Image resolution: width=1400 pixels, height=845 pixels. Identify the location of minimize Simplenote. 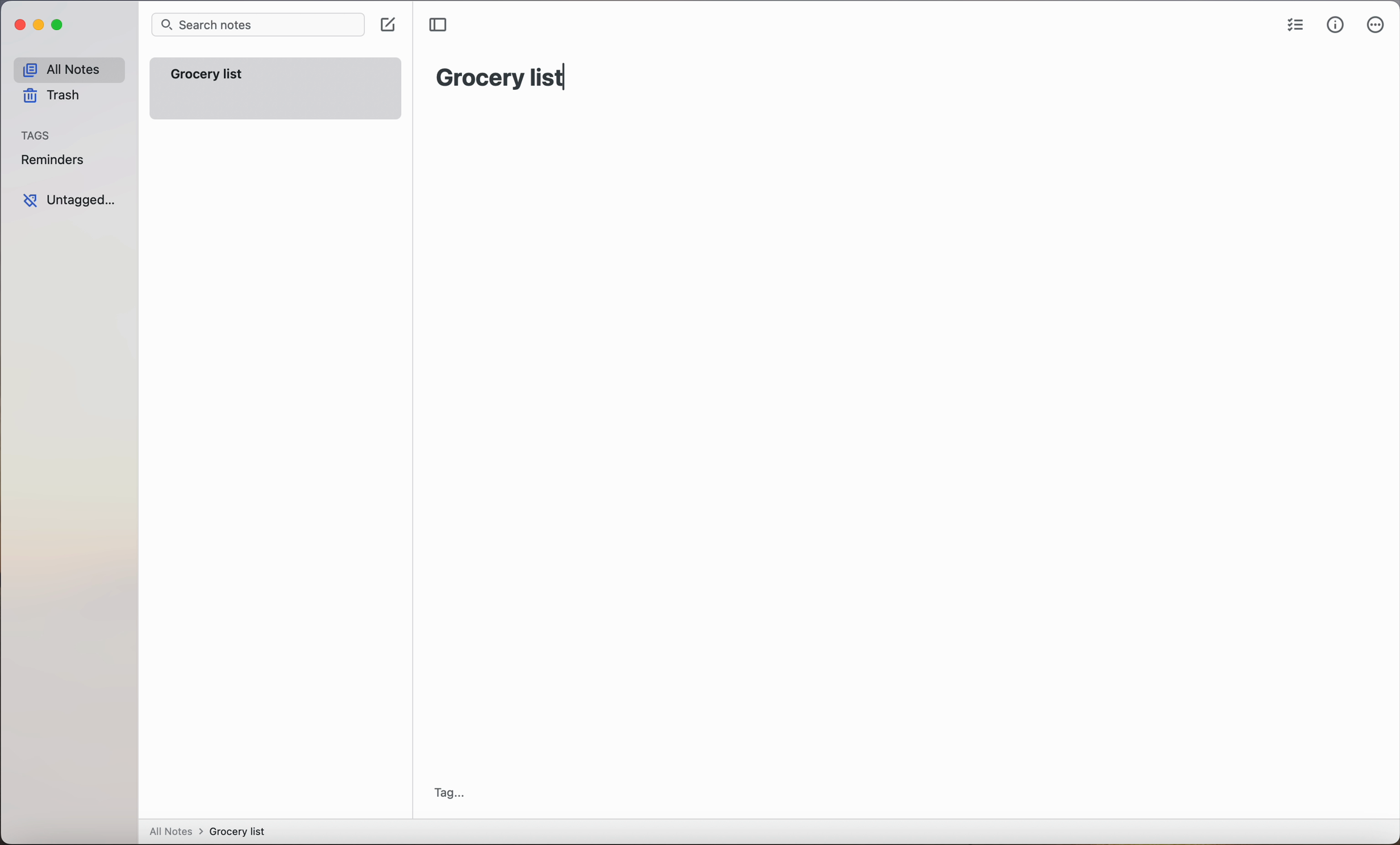
(41, 27).